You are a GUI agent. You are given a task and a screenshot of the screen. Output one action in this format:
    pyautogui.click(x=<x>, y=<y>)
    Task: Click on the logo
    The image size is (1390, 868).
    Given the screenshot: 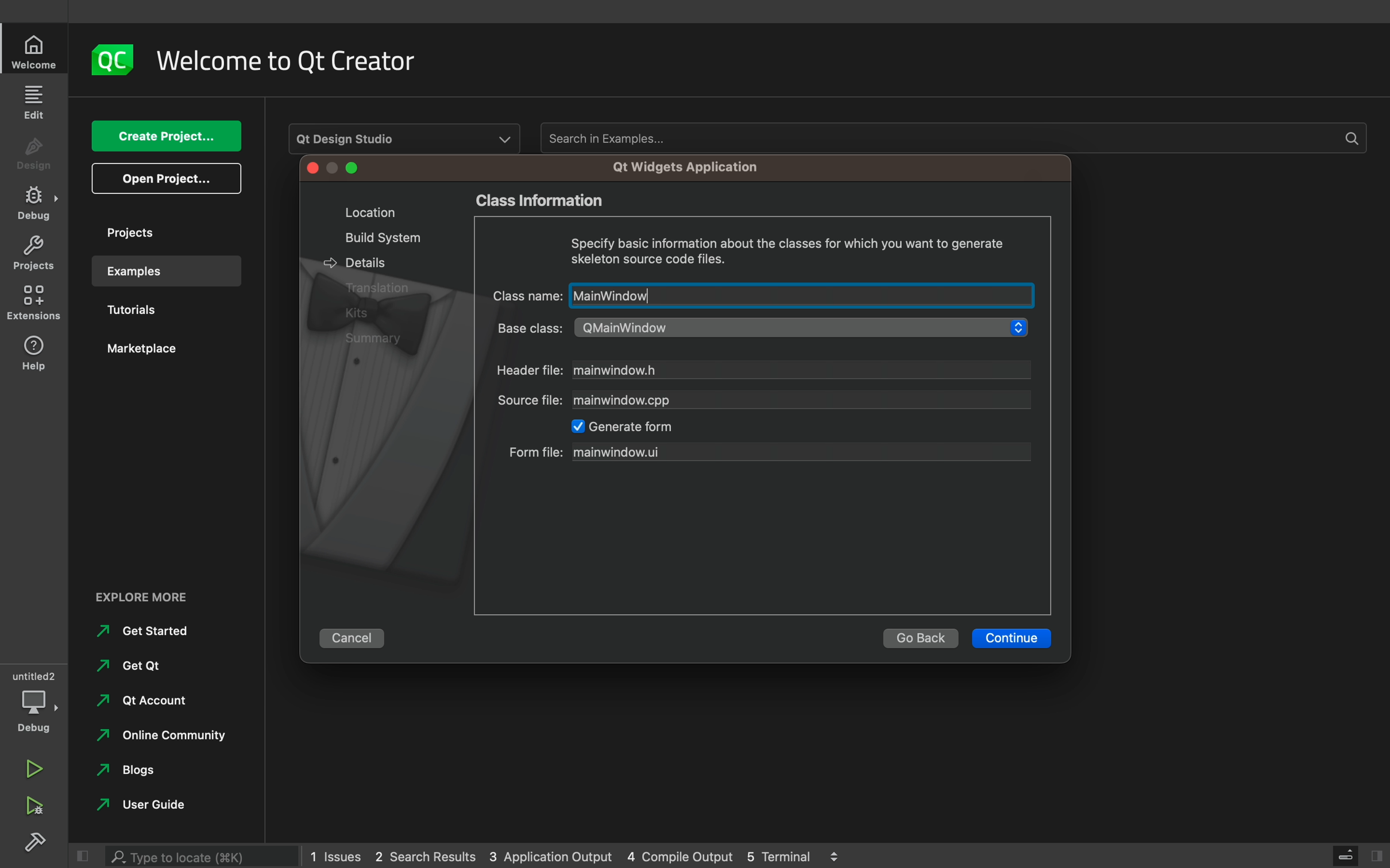 What is the action you would take?
    pyautogui.click(x=113, y=59)
    